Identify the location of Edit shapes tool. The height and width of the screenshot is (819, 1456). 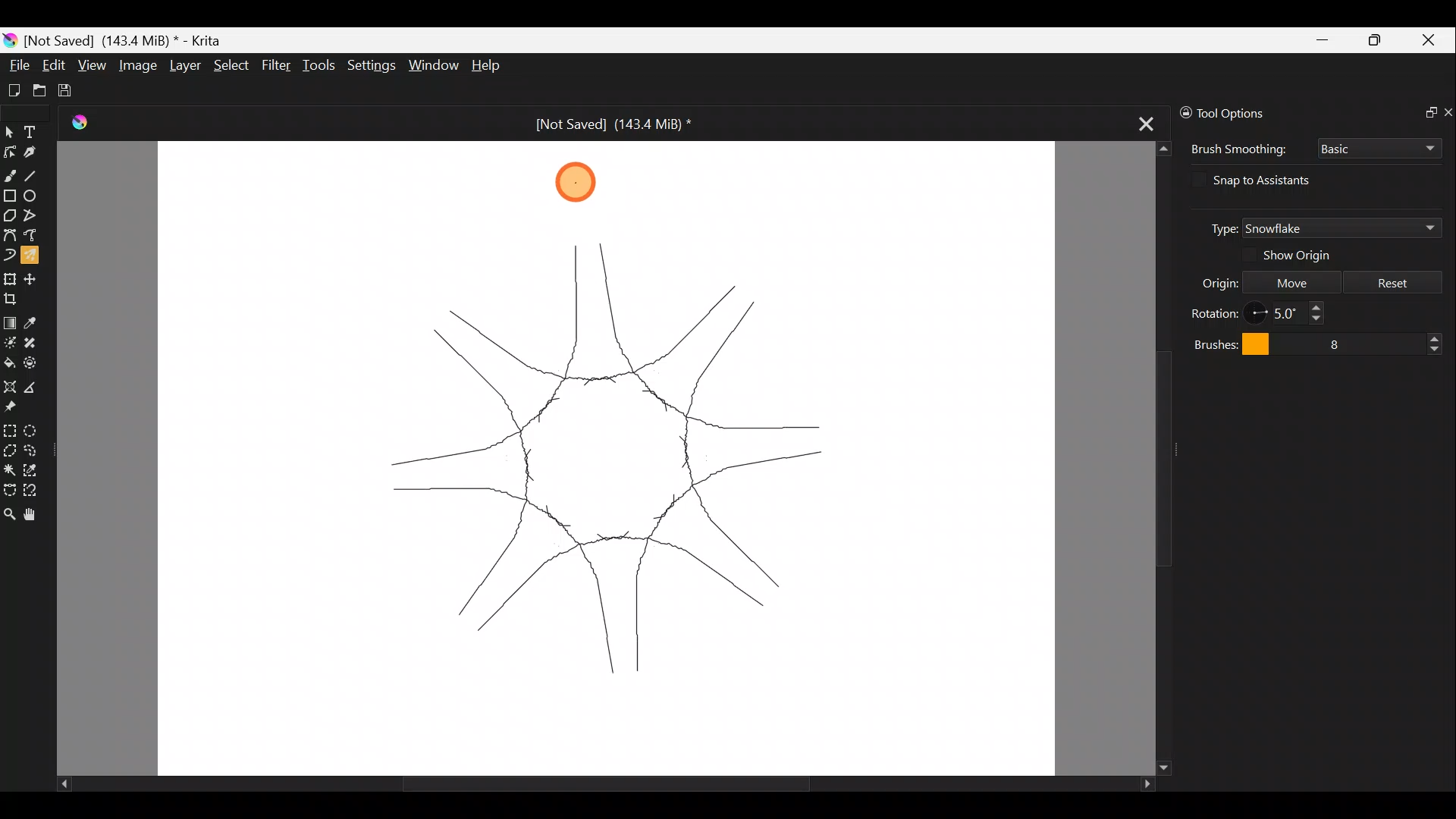
(9, 152).